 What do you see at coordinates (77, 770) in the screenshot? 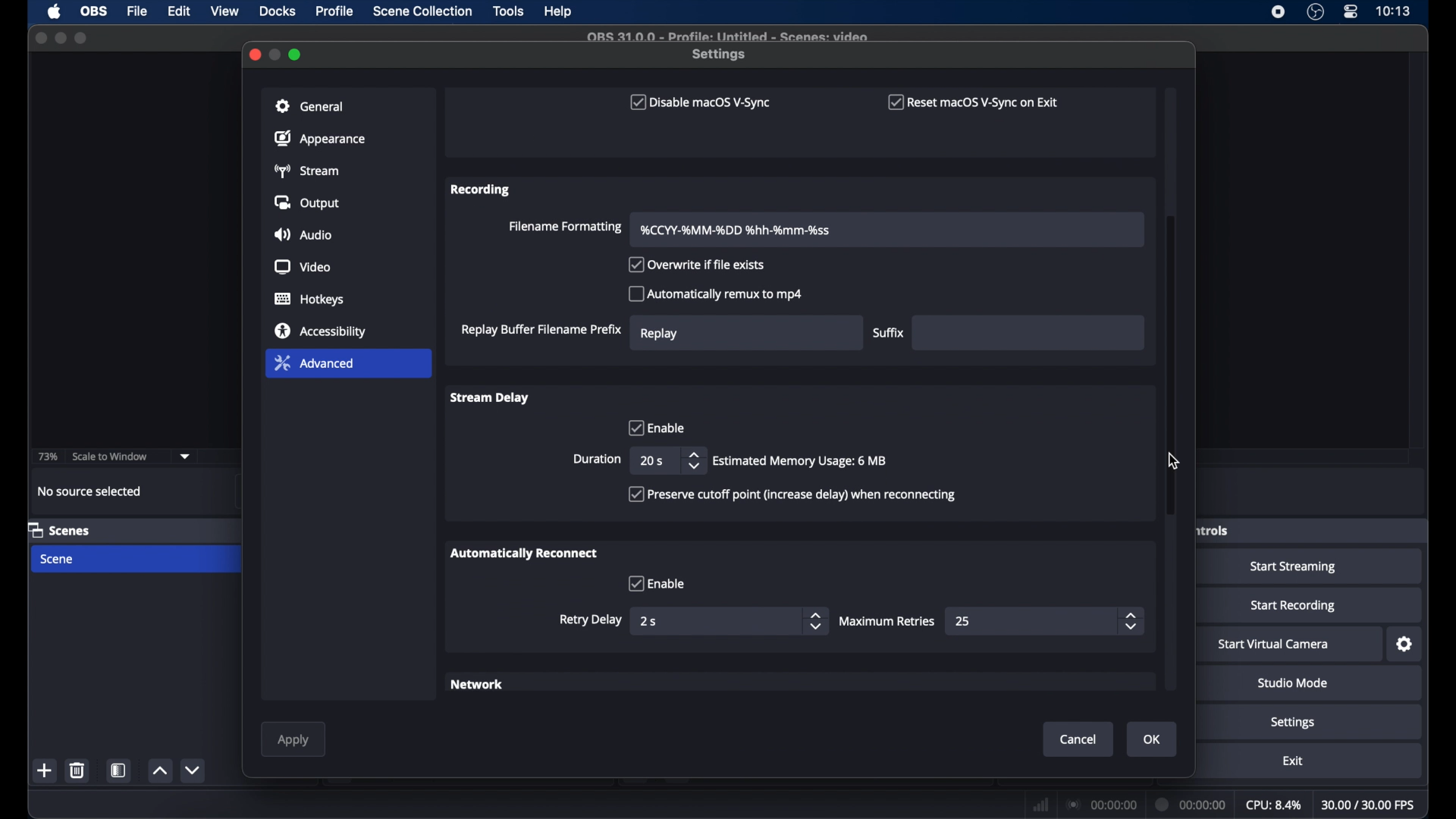
I see `delete` at bounding box center [77, 770].